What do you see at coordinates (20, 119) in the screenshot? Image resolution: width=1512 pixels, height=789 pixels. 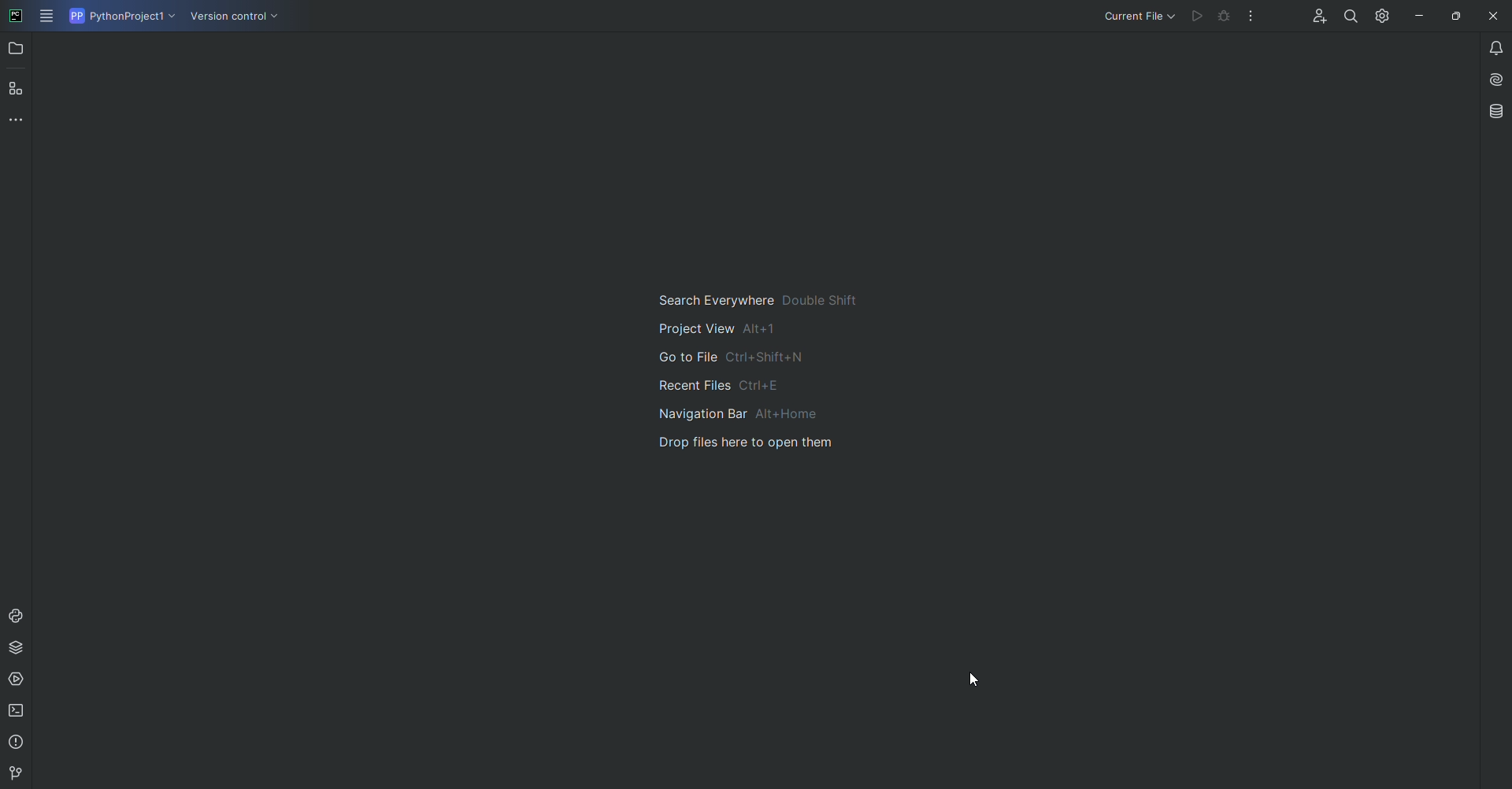 I see `More Tools` at bounding box center [20, 119].